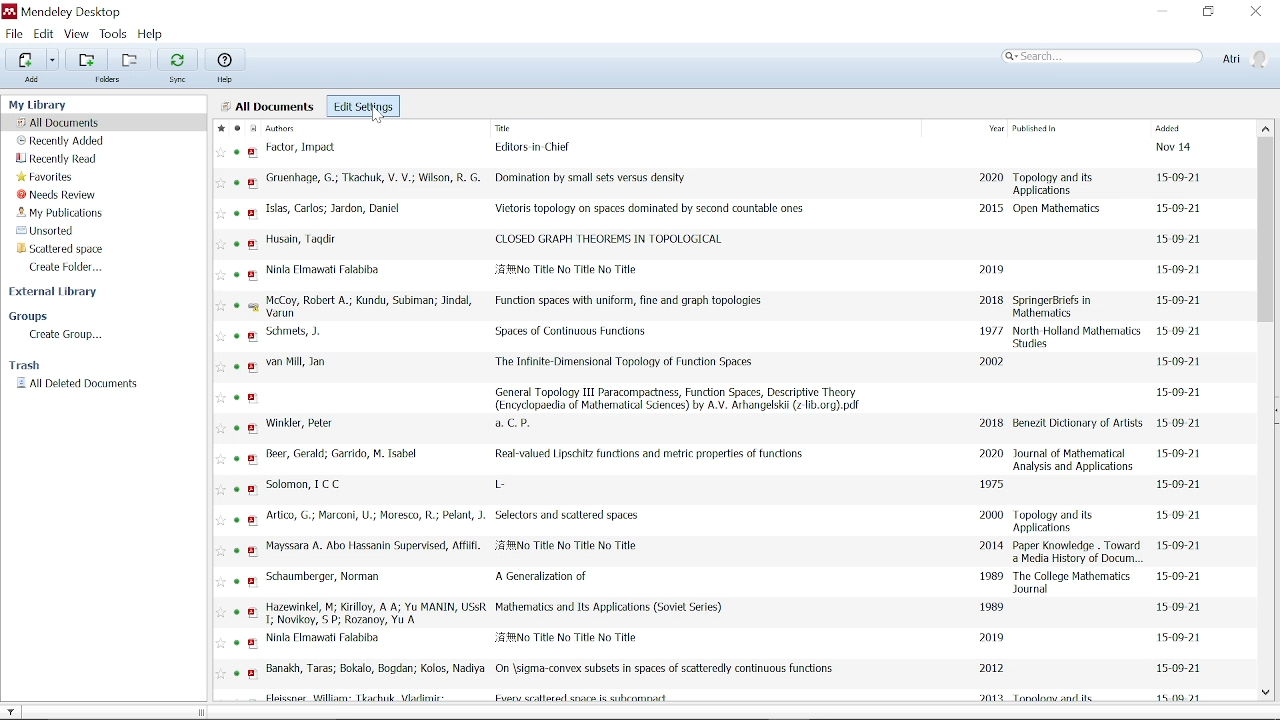 The width and height of the screenshot is (1280, 720). What do you see at coordinates (65, 122) in the screenshot?
I see `All documents` at bounding box center [65, 122].